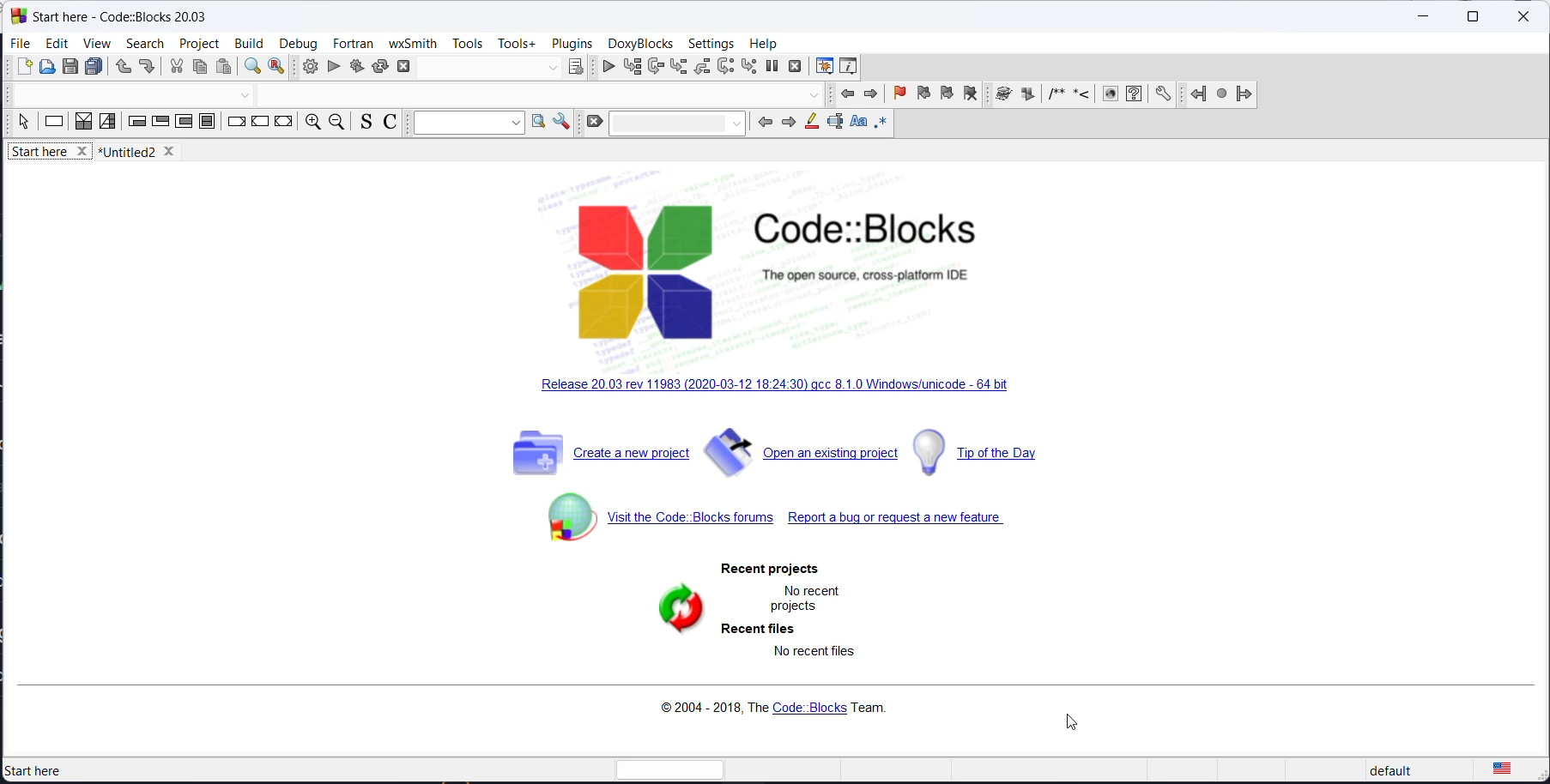 The width and height of the screenshot is (1550, 784). Describe the element at coordinates (21, 43) in the screenshot. I see `file` at that location.